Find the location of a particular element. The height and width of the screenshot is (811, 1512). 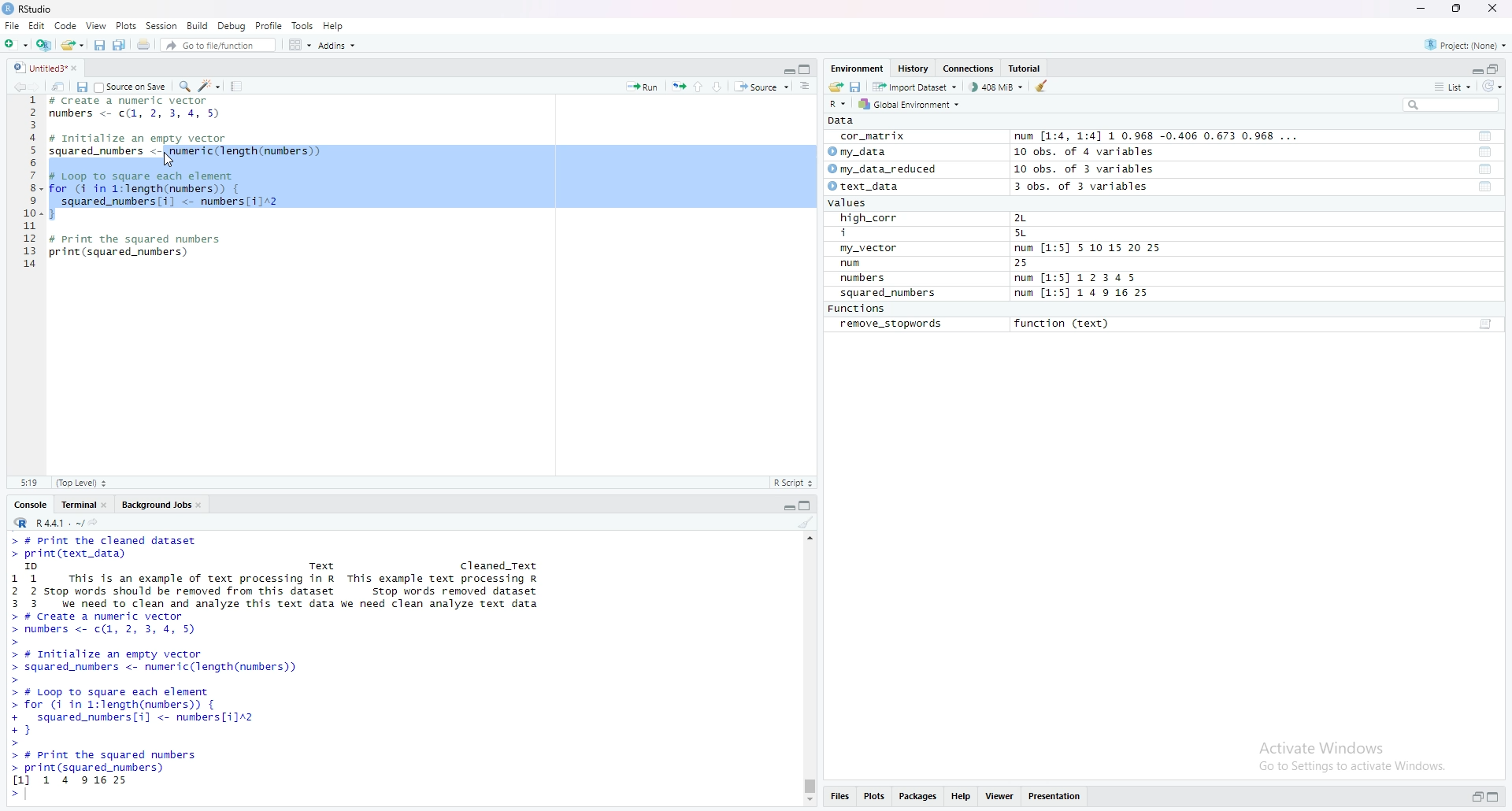

Background Jobs is located at coordinates (155, 503).